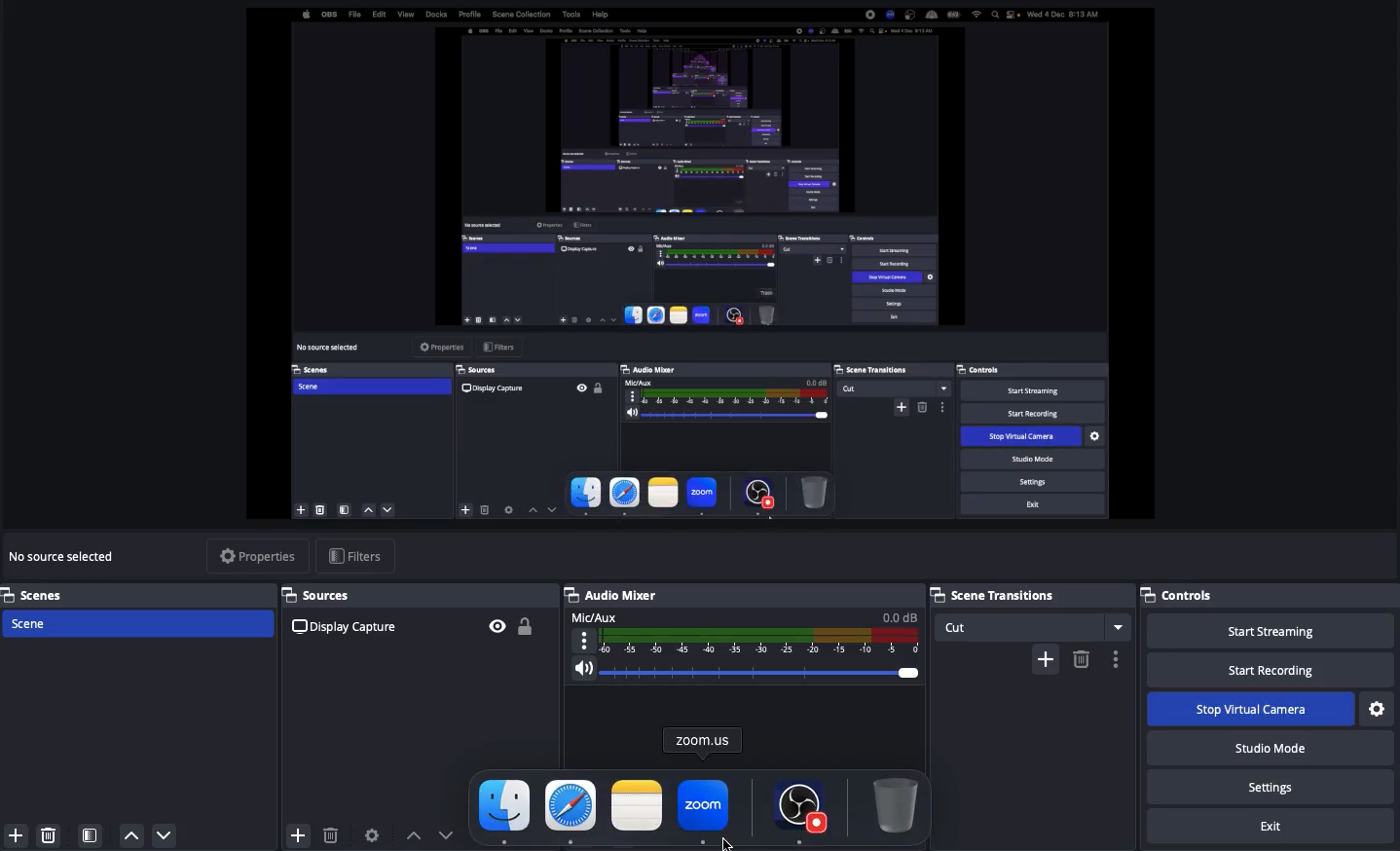 The height and width of the screenshot is (851, 1400). I want to click on Source preferences, so click(375, 833).